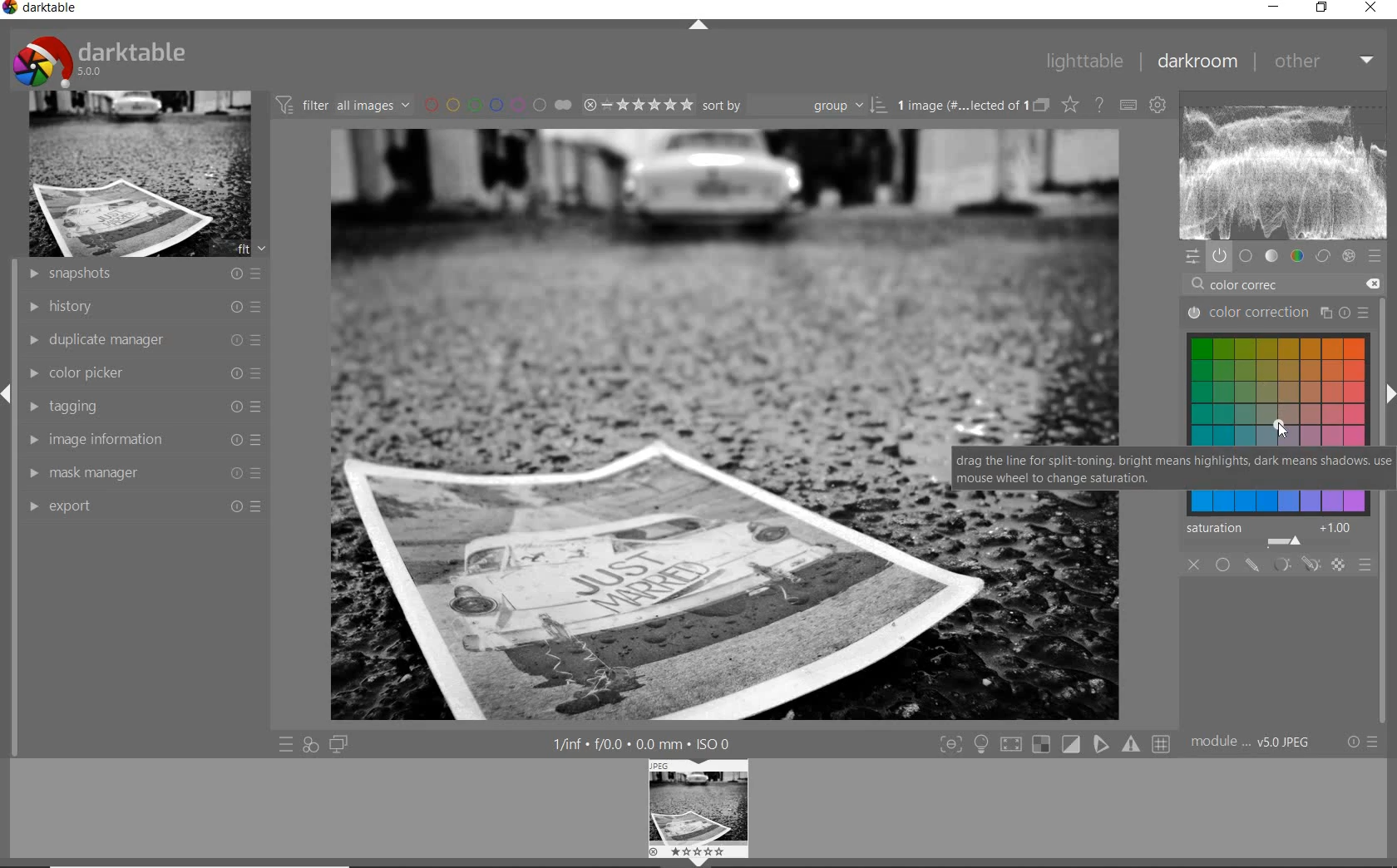 Image resolution: width=1397 pixels, height=868 pixels. What do you see at coordinates (639, 424) in the screenshot?
I see `selected image` at bounding box center [639, 424].